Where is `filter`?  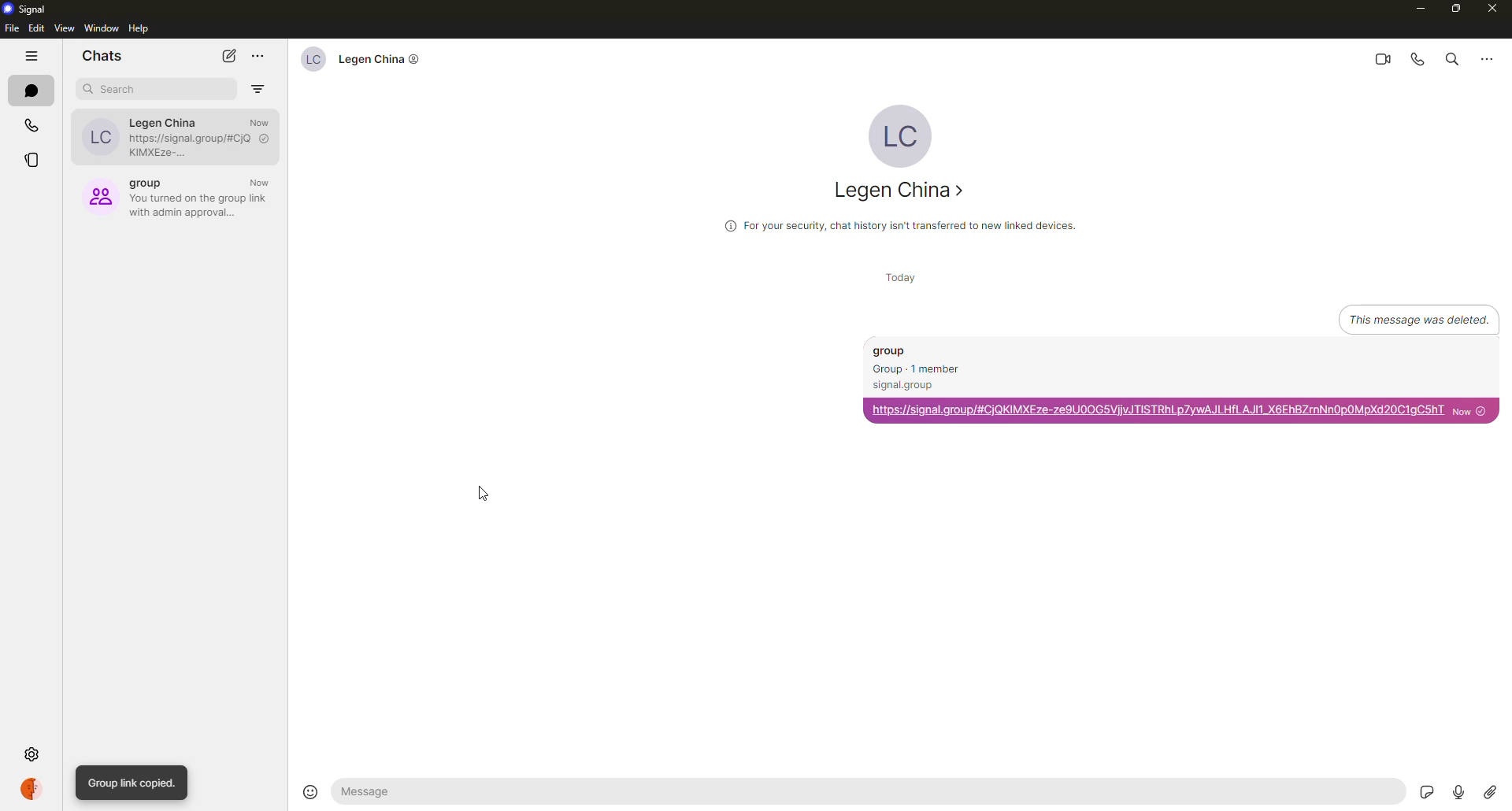 filter is located at coordinates (258, 85).